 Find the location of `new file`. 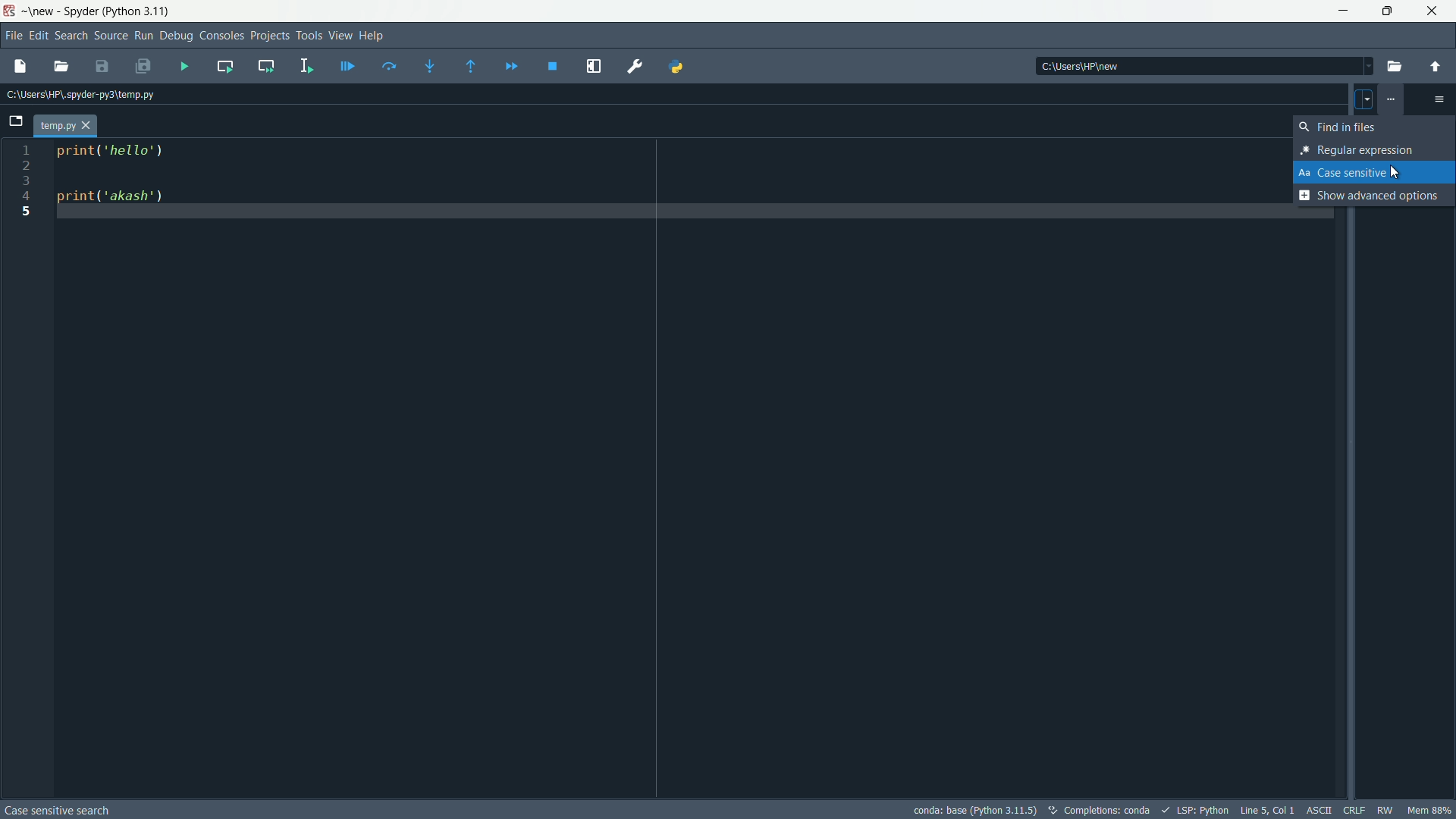

new file is located at coordinates (25, 67).